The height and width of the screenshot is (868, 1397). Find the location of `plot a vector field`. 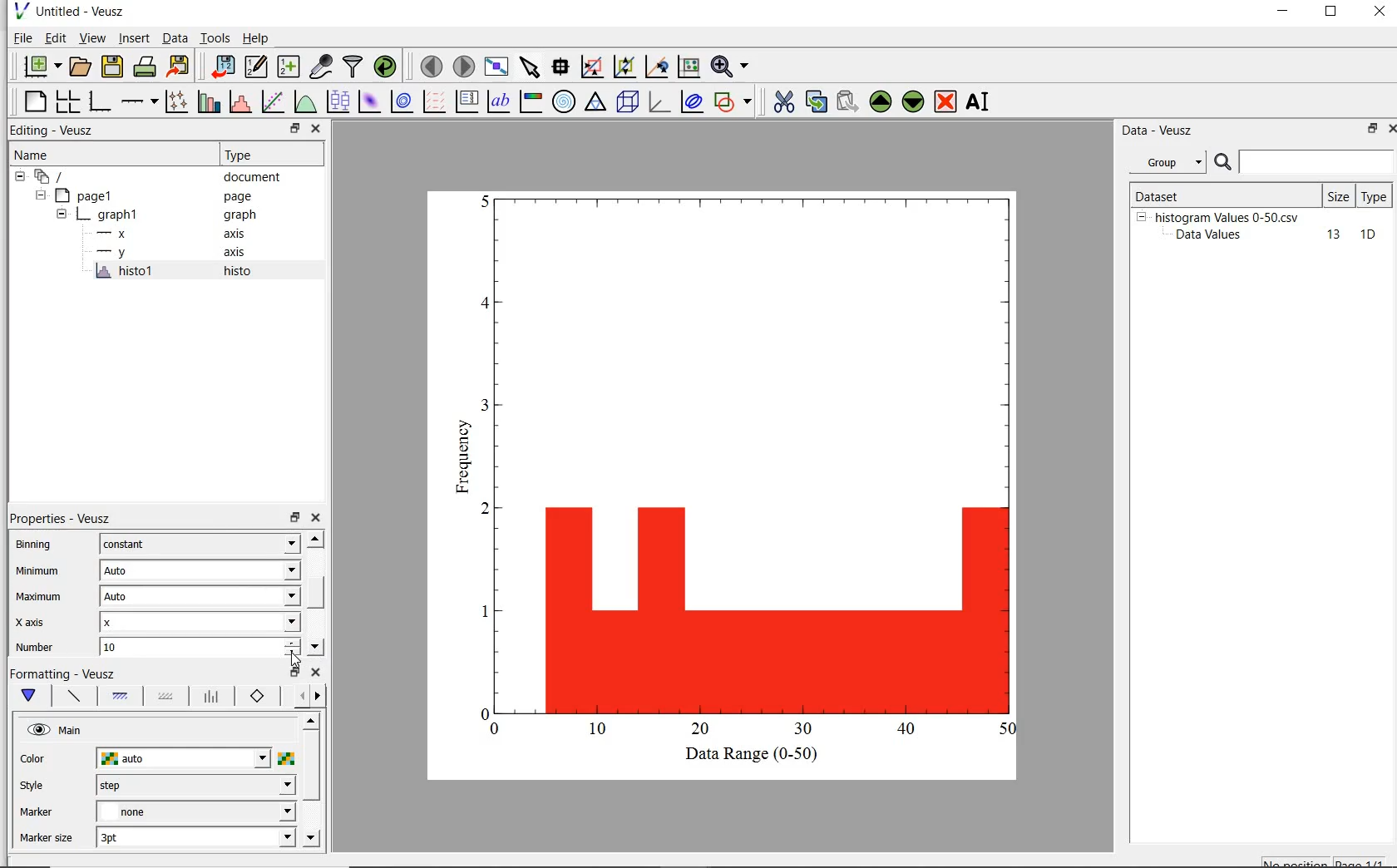

plot a vector field is located at coordinates (436, 101).